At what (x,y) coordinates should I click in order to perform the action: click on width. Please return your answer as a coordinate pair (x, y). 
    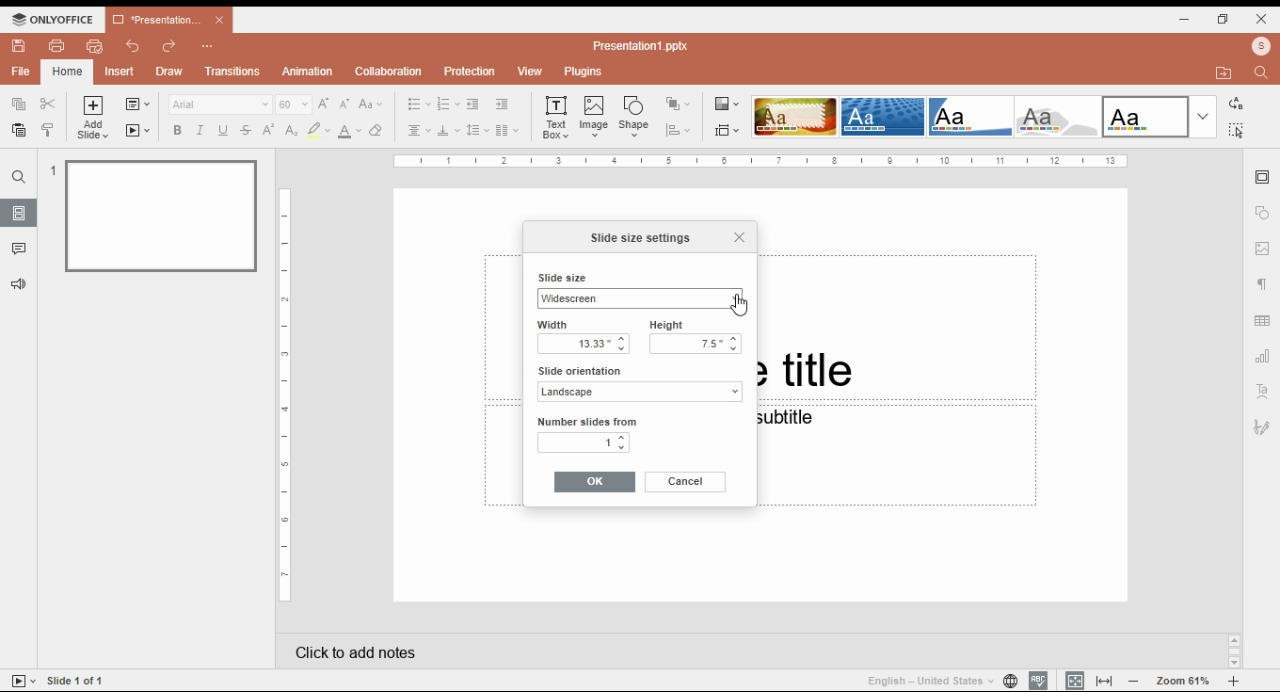
    Looking at the image, I should click on (578, 325).